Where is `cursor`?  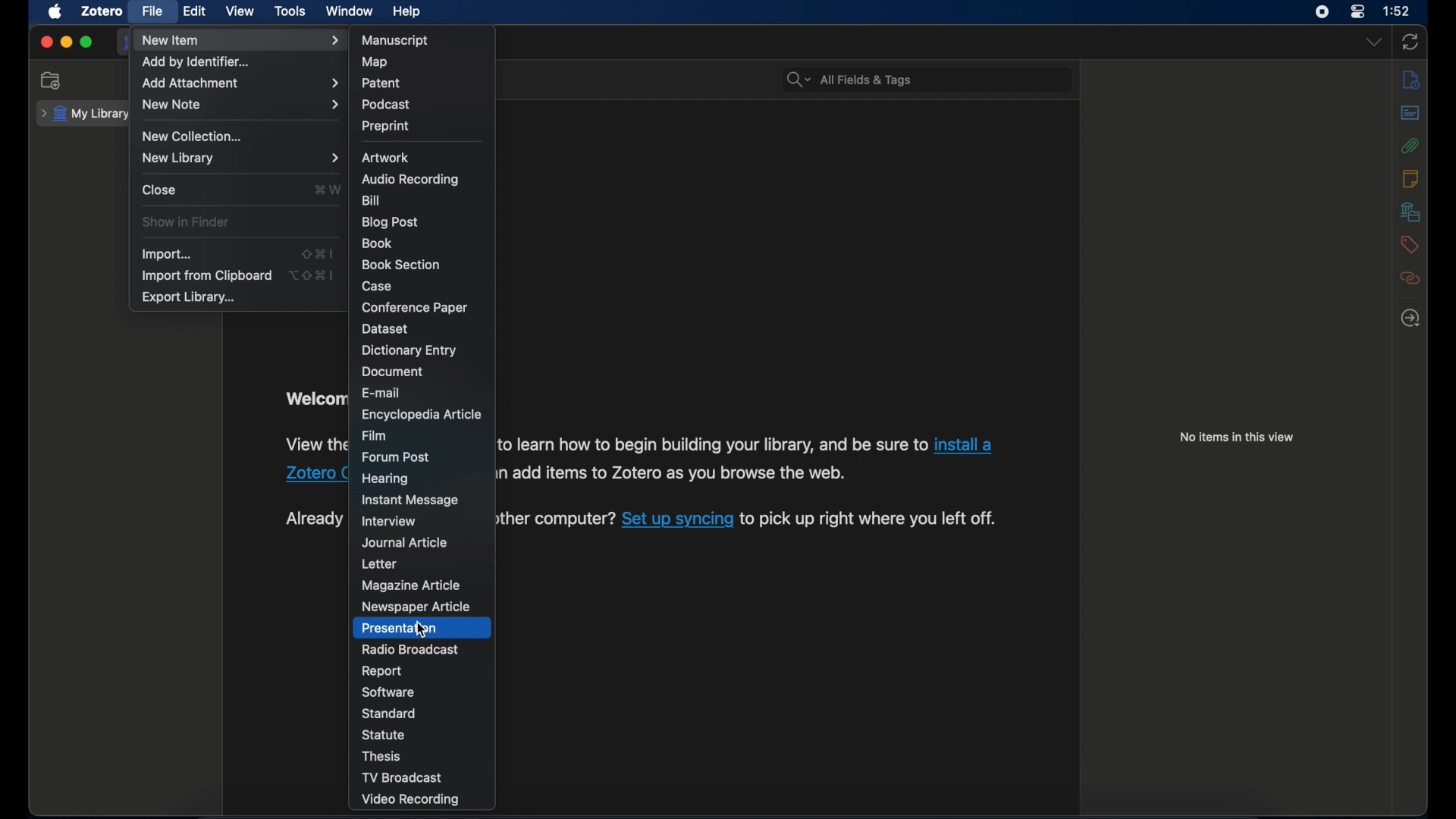 cursor is located at coordinates (423, 631).